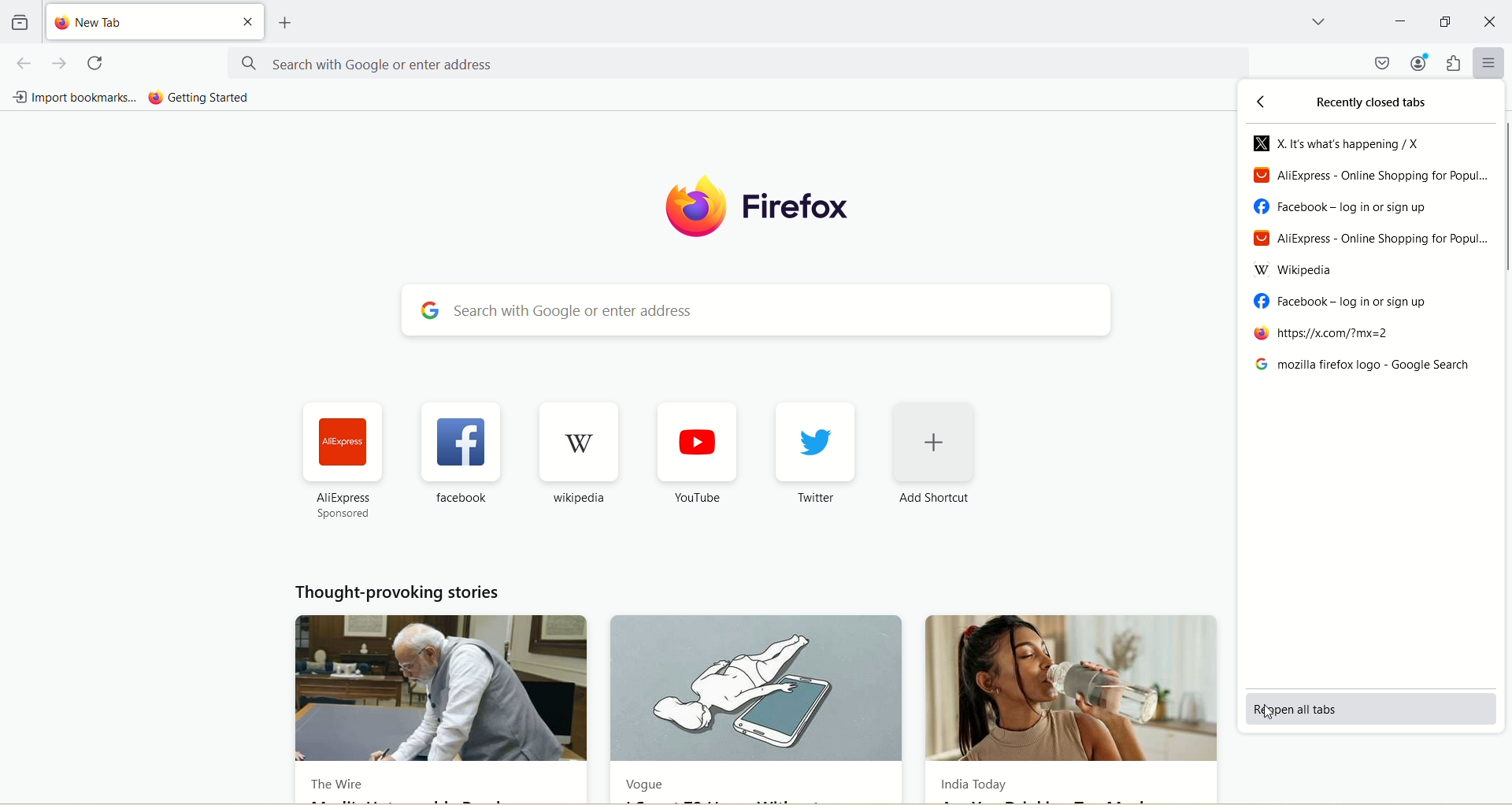 The image size is (1512, 805). Describe the element at coordinates (1376, 173) in the screenshot. I see `AliExpress` at that location.